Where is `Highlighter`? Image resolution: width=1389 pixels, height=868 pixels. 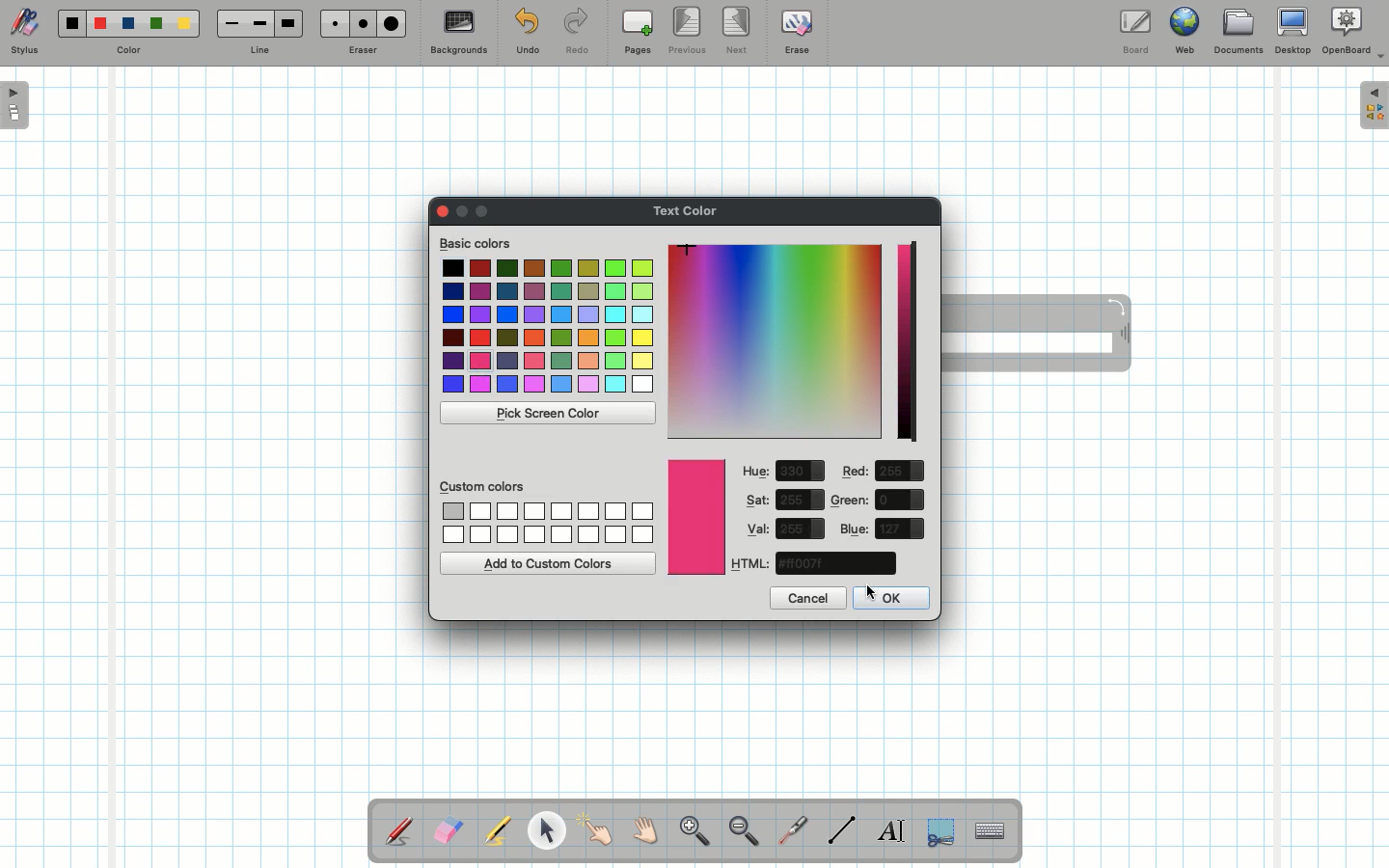
Highlighter is located at coordinates (496, 832).